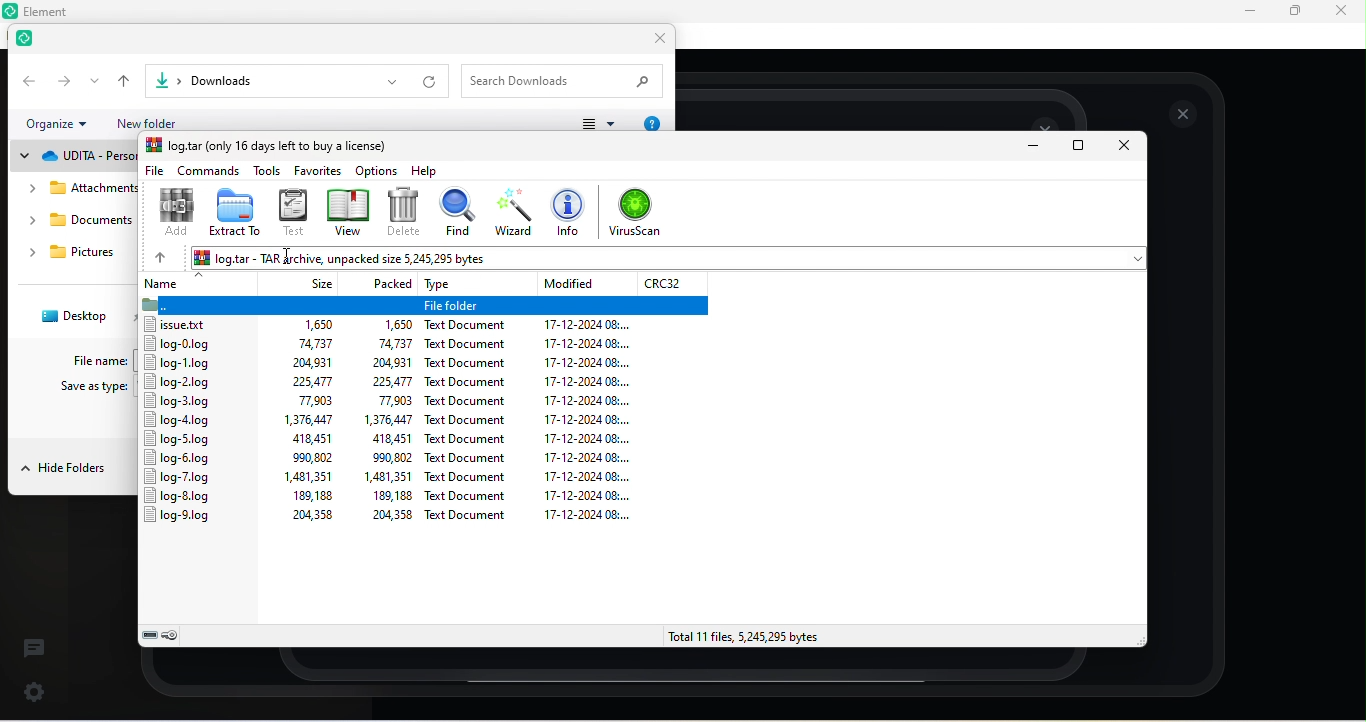 Image resolution: width=1366 pixels, height=722 pixels. I want to click on log-0.log, so click(178, 343).